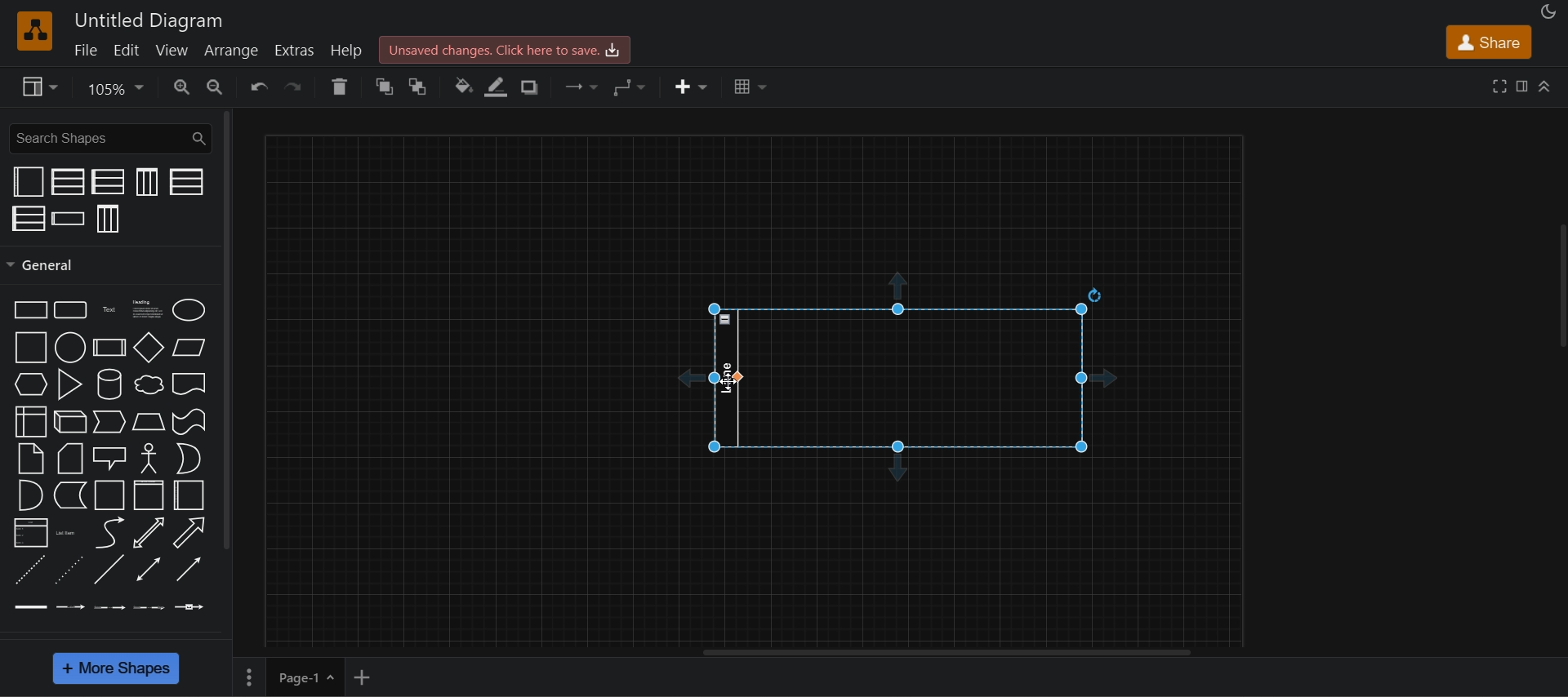 This screenshot has height=697, width=1568. What do you see at coordinates (69, 422) in the screenshot?
I see `cube ` at bounding box center [69, 422].